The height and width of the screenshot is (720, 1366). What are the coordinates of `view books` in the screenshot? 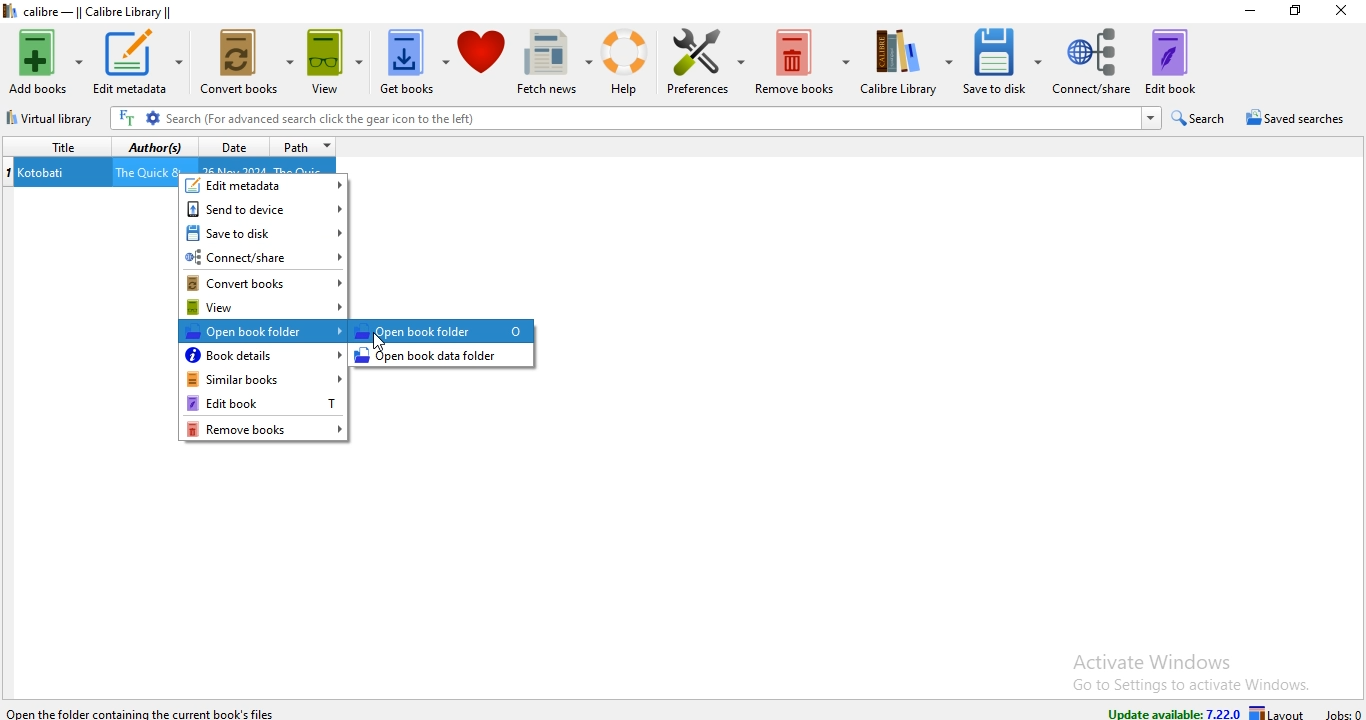 It's located at (337, 63).